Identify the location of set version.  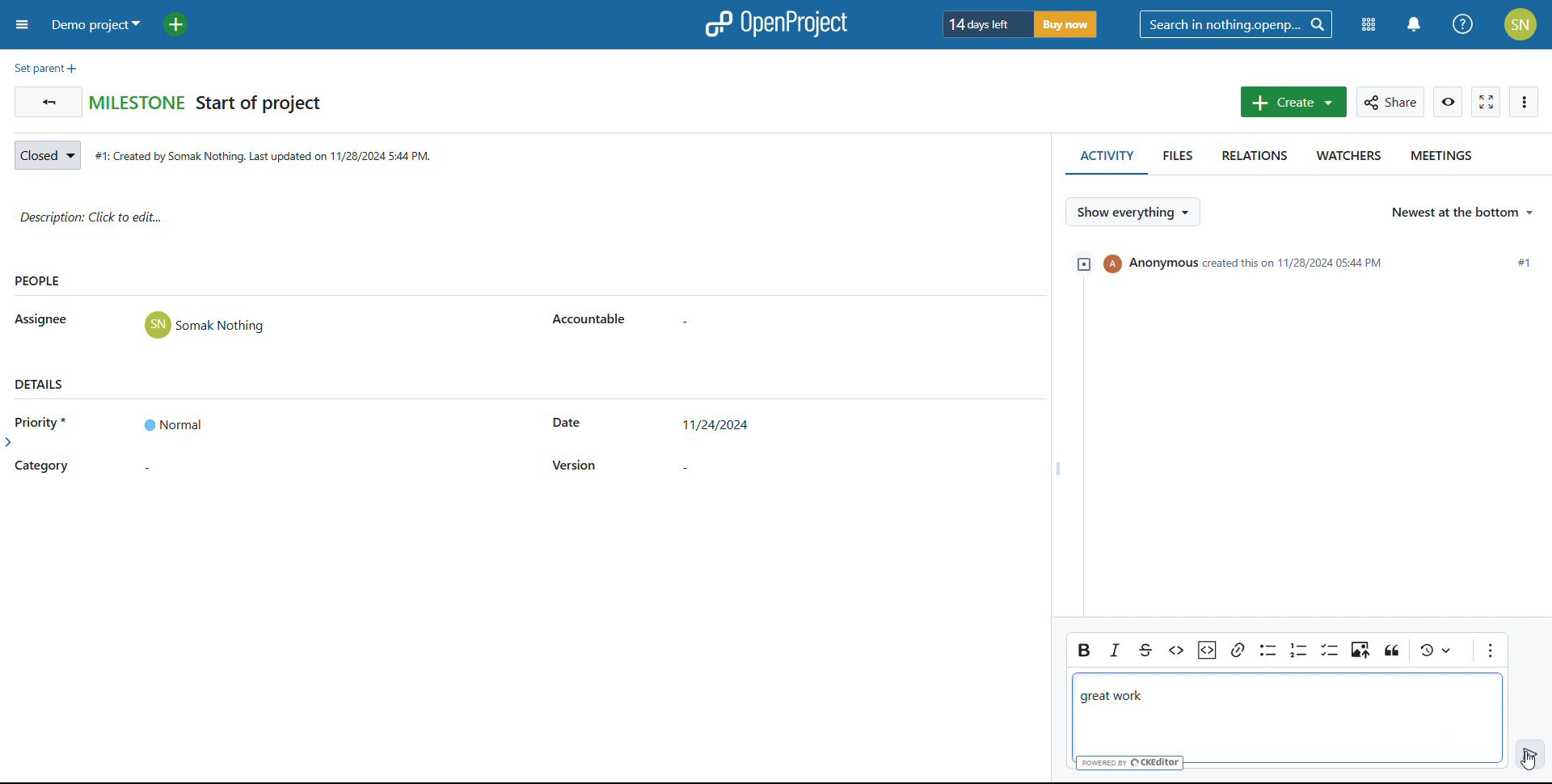
(718, 465).